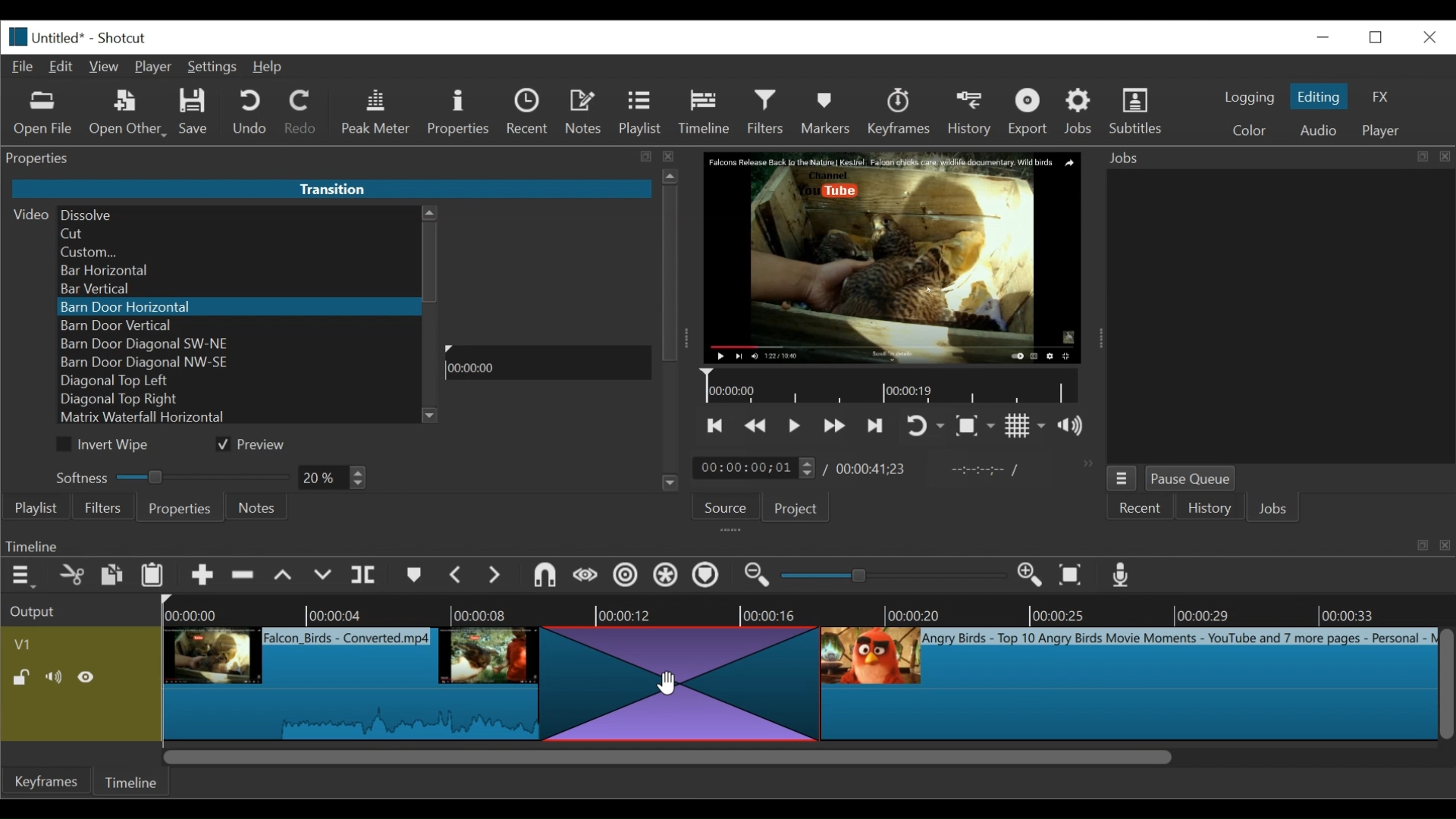  I want to click on Audio, so click(1317, 130).